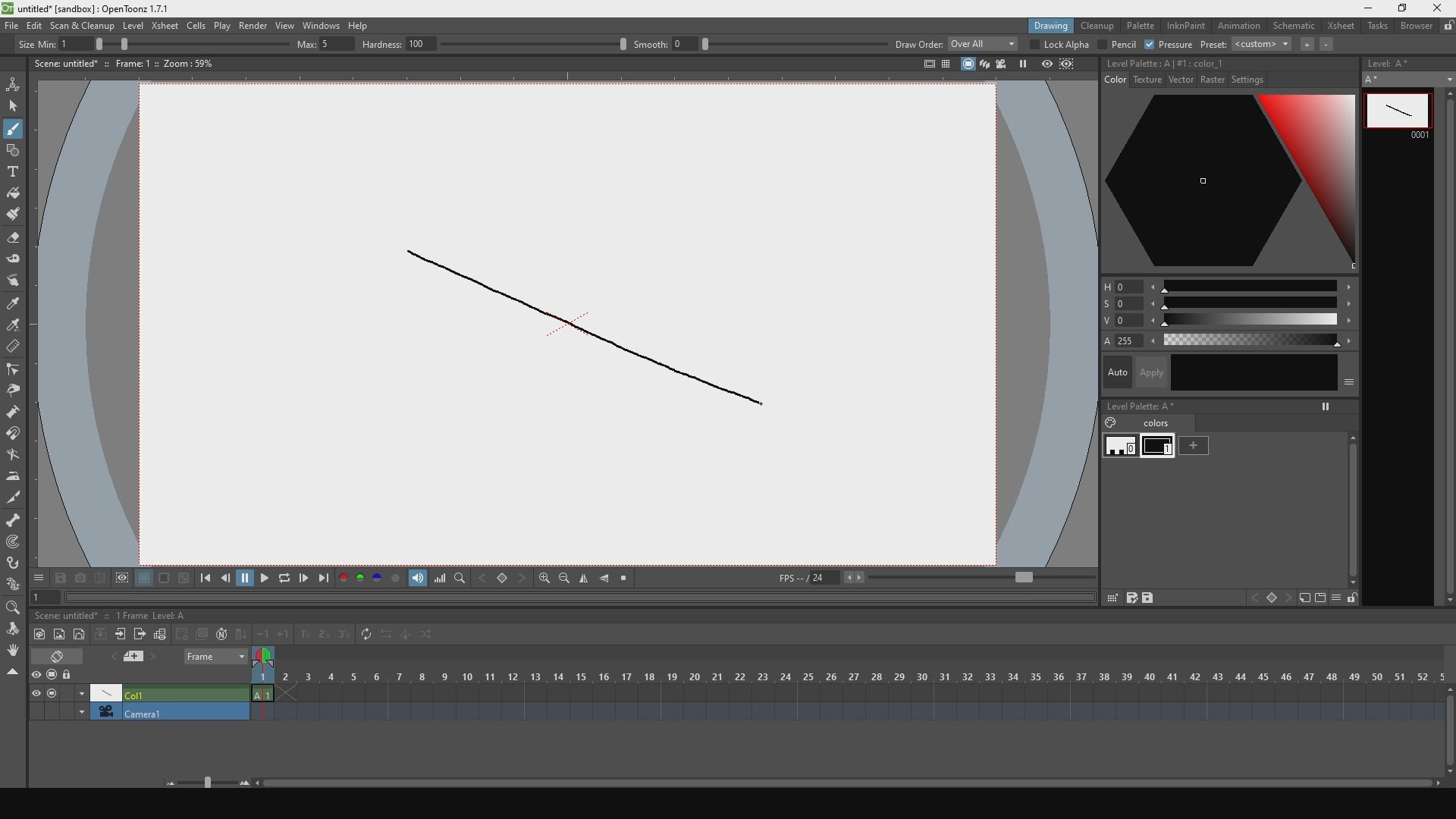 The width and height of the screenshot is (1456, 819). Describe the element at coordinates (14, 564) in the screenshot. I see `hook` at that location.